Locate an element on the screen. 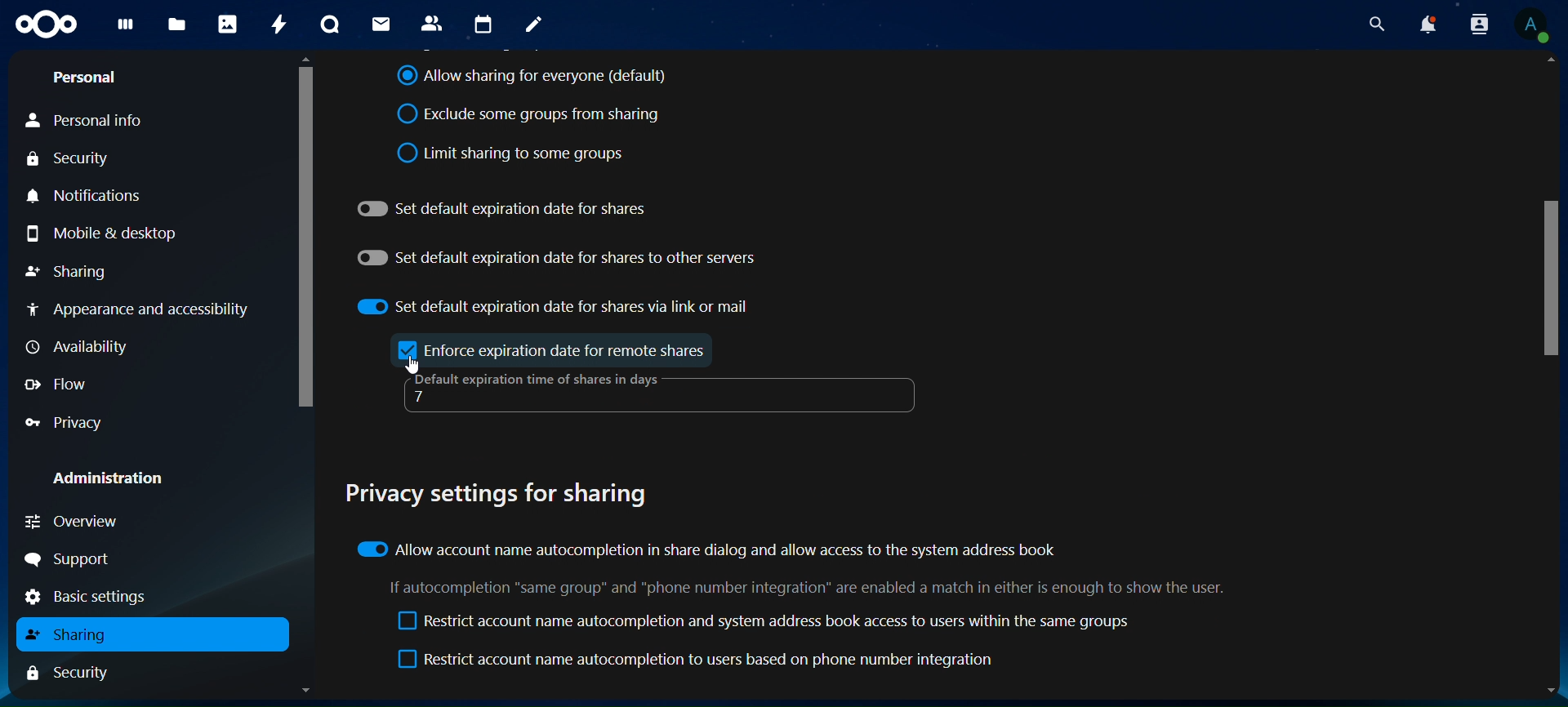  icon is located at coordinates (44, 26).